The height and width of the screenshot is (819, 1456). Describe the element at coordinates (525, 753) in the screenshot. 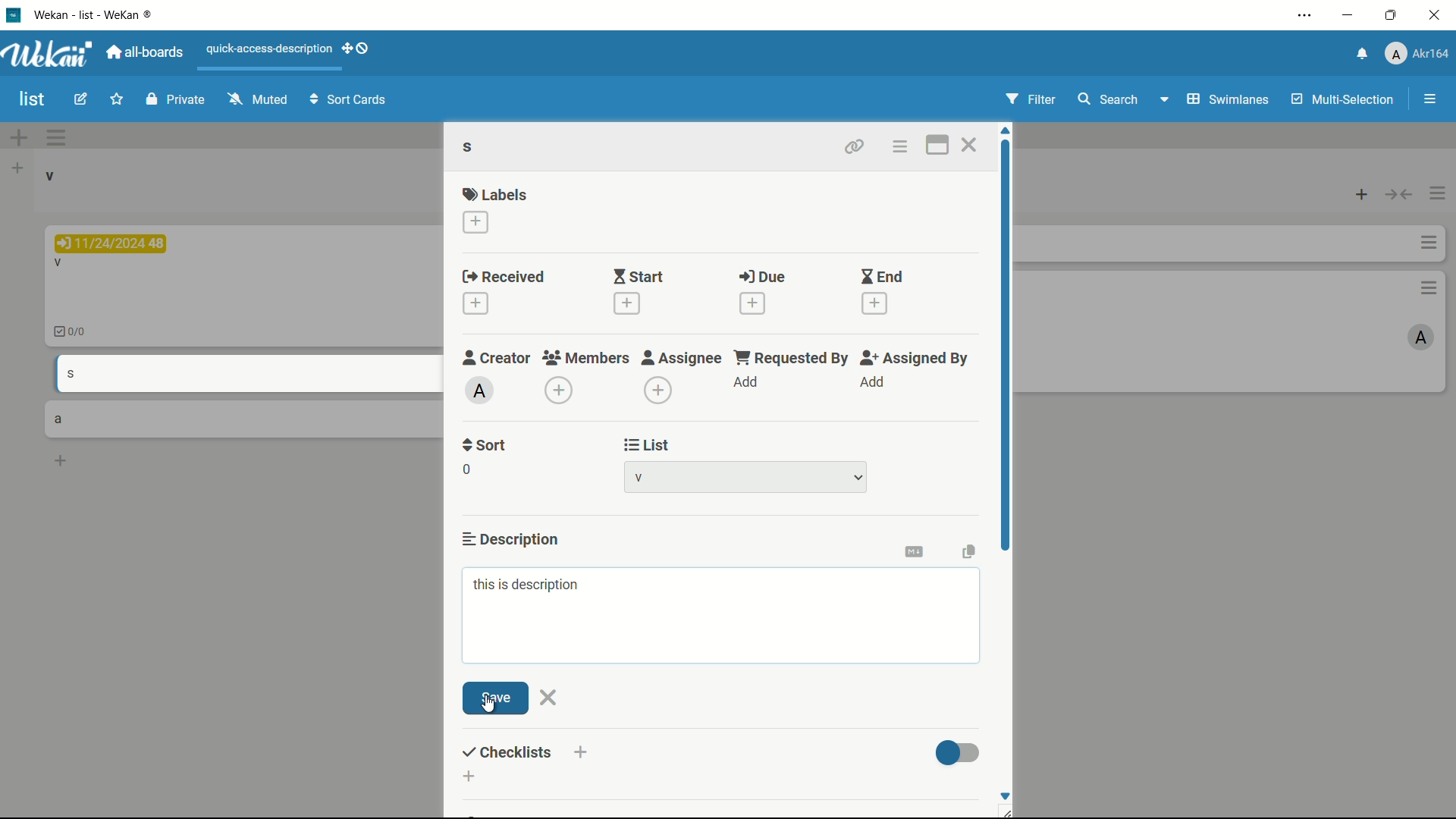

I see `checklist` at that location.